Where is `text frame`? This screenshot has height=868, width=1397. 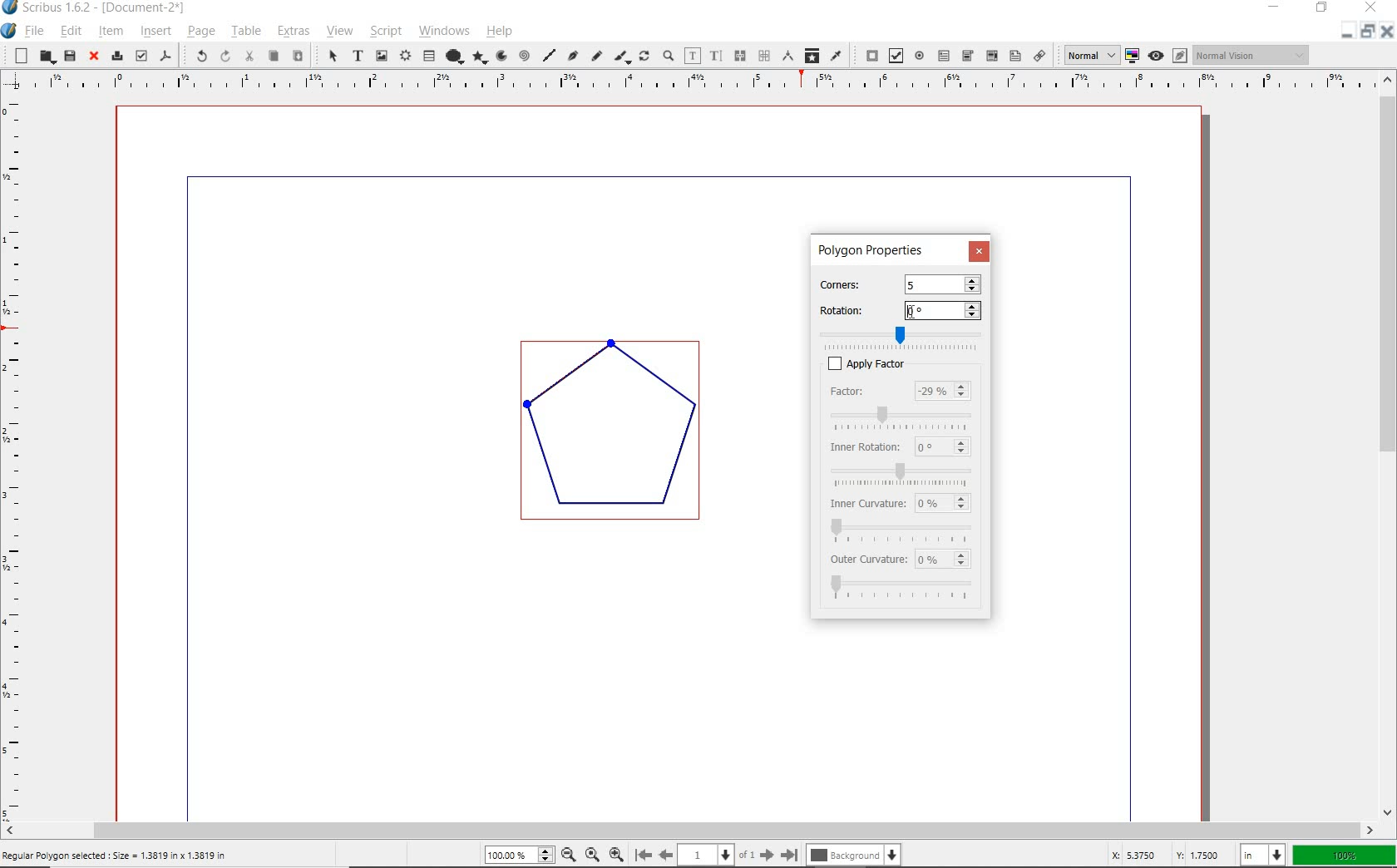
text frame is located at coordinates (358, 57).